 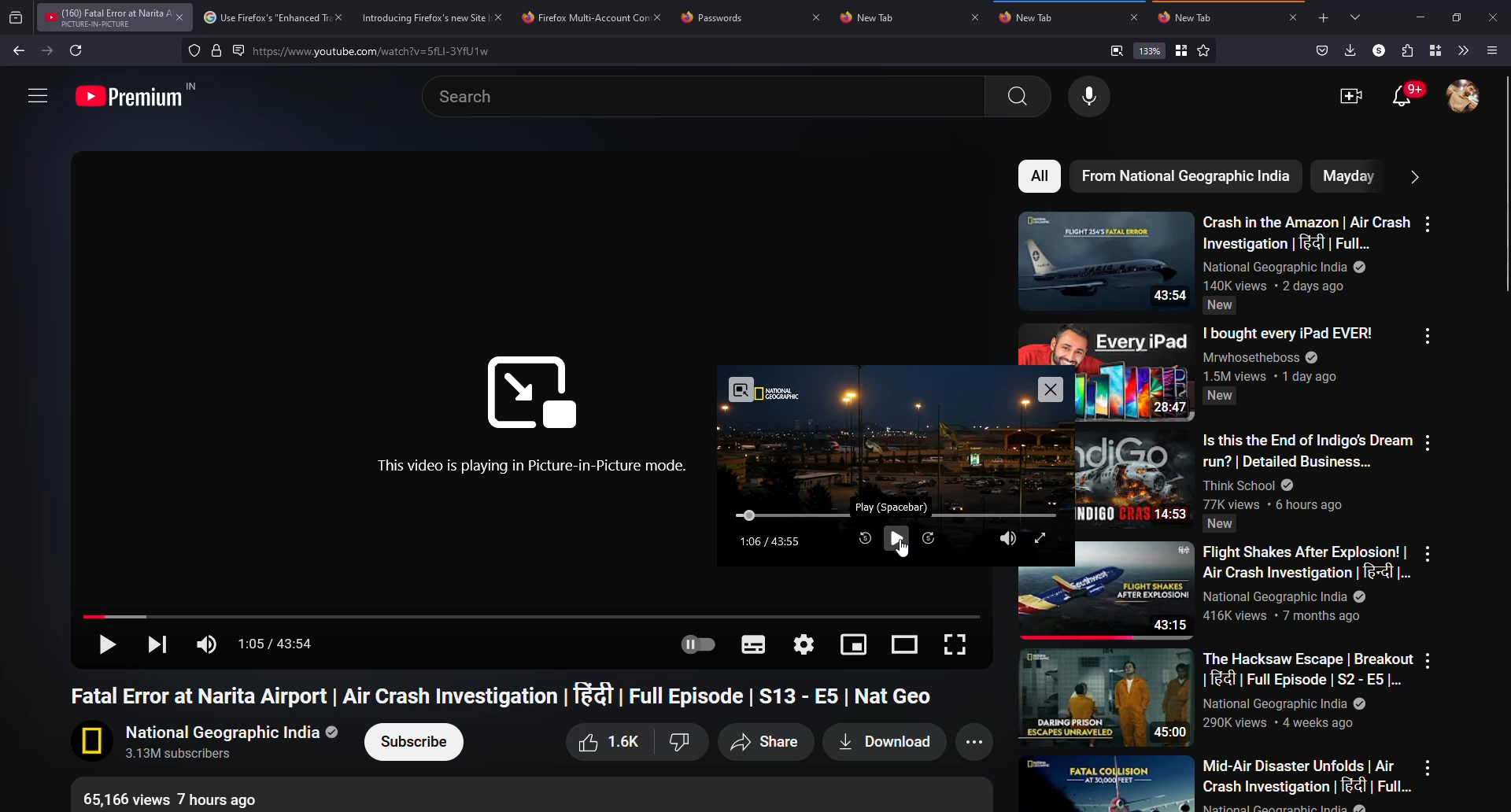 I want to click on Video thumbnail, so click(x=1106, y=783).